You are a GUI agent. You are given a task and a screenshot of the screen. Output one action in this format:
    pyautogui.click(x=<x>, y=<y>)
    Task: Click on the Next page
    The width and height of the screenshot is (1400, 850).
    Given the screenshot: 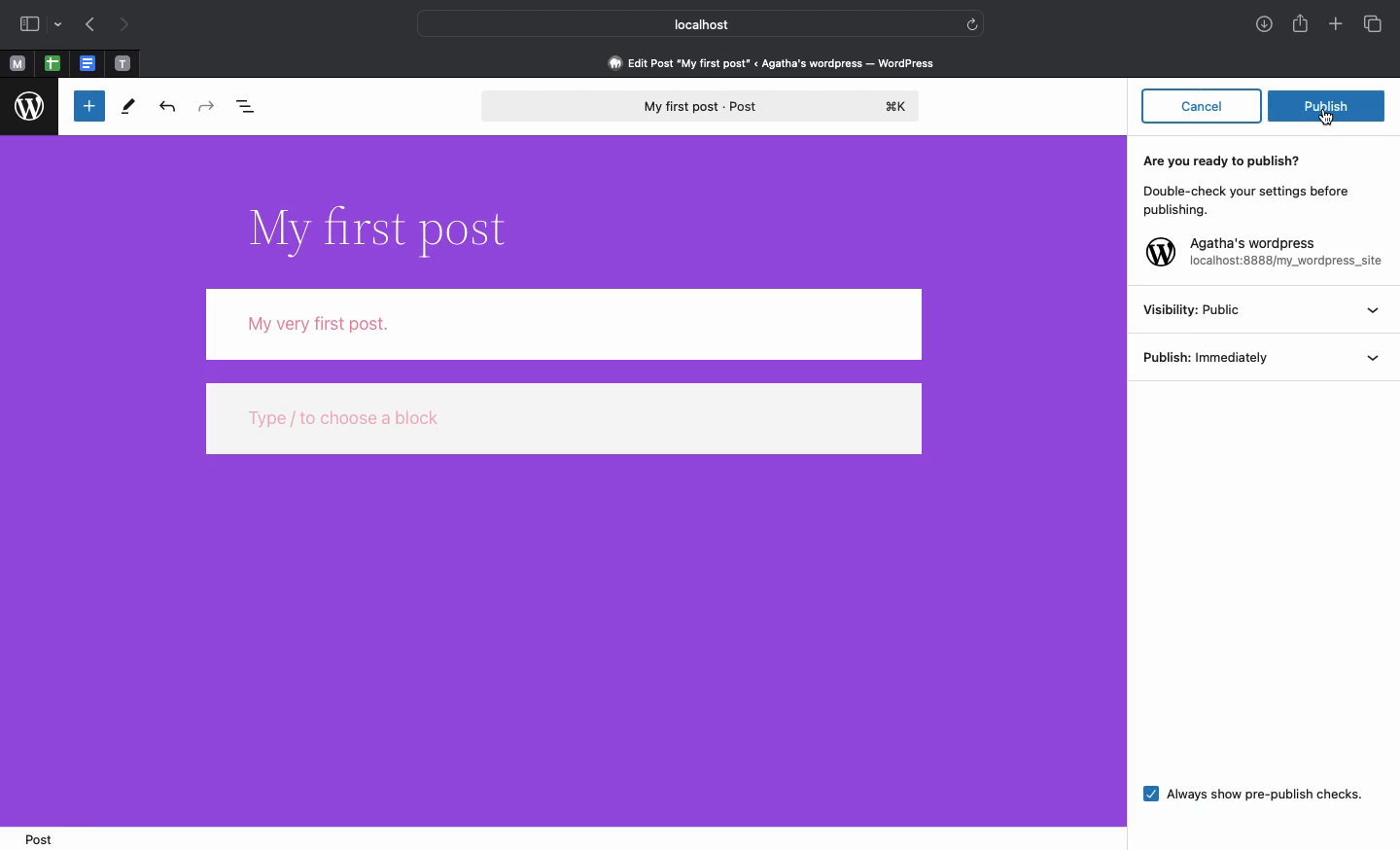 What is the action you would take?
    pyautogui.click(x=130, y=25)
    